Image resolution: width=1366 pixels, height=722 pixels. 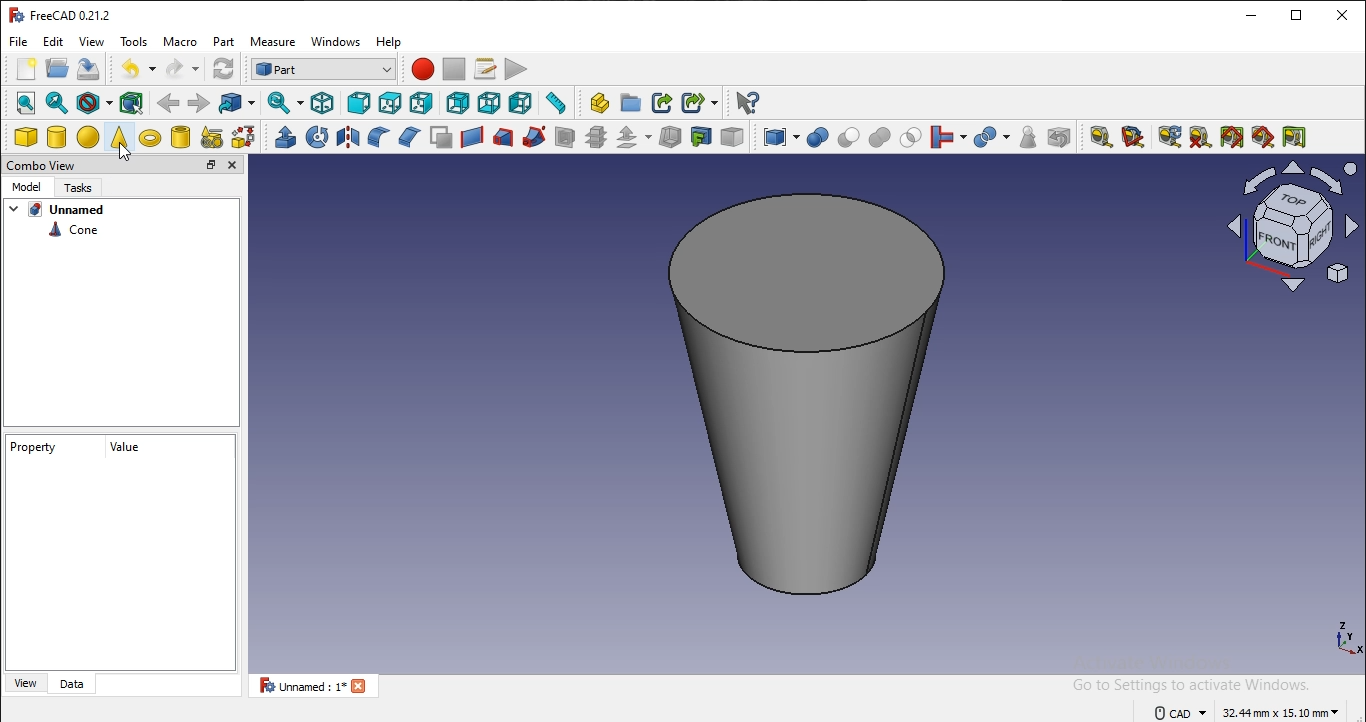 I want to click on bounding box, so click(x=130, y=101).